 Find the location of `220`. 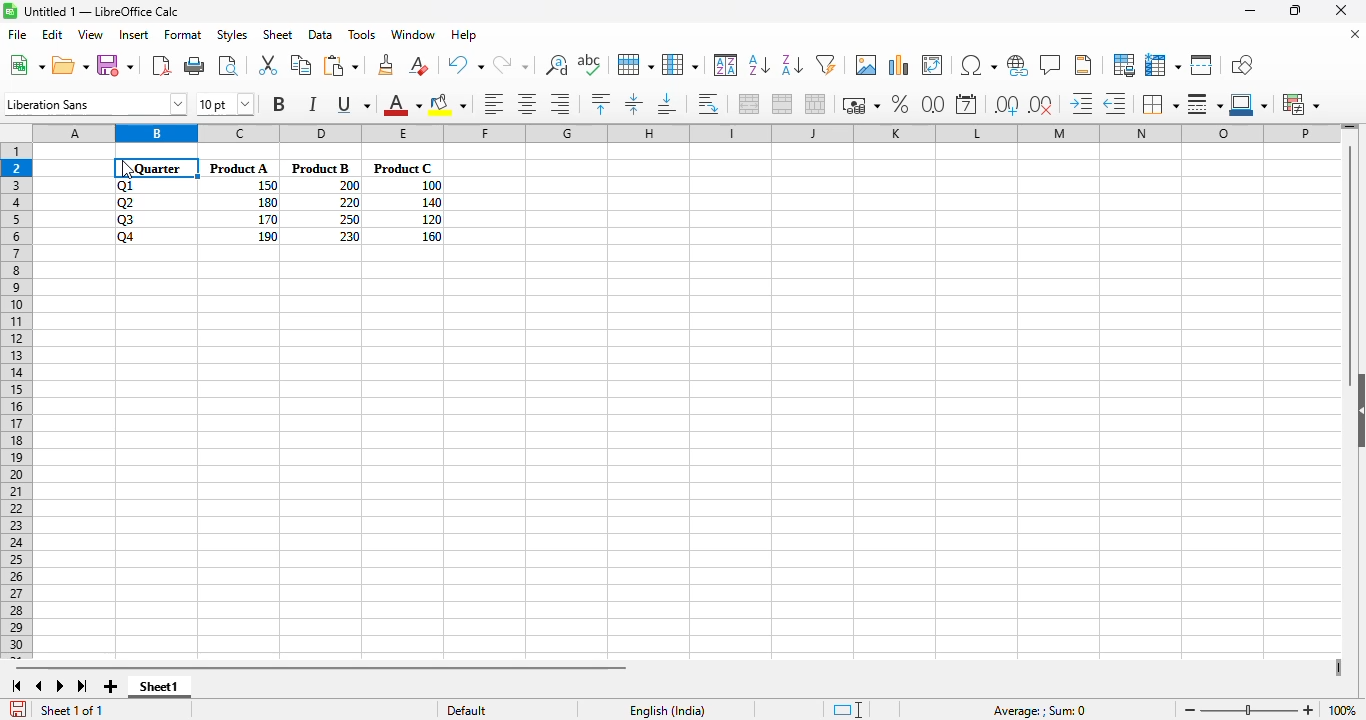

220 is located at coordinates (349, 202).